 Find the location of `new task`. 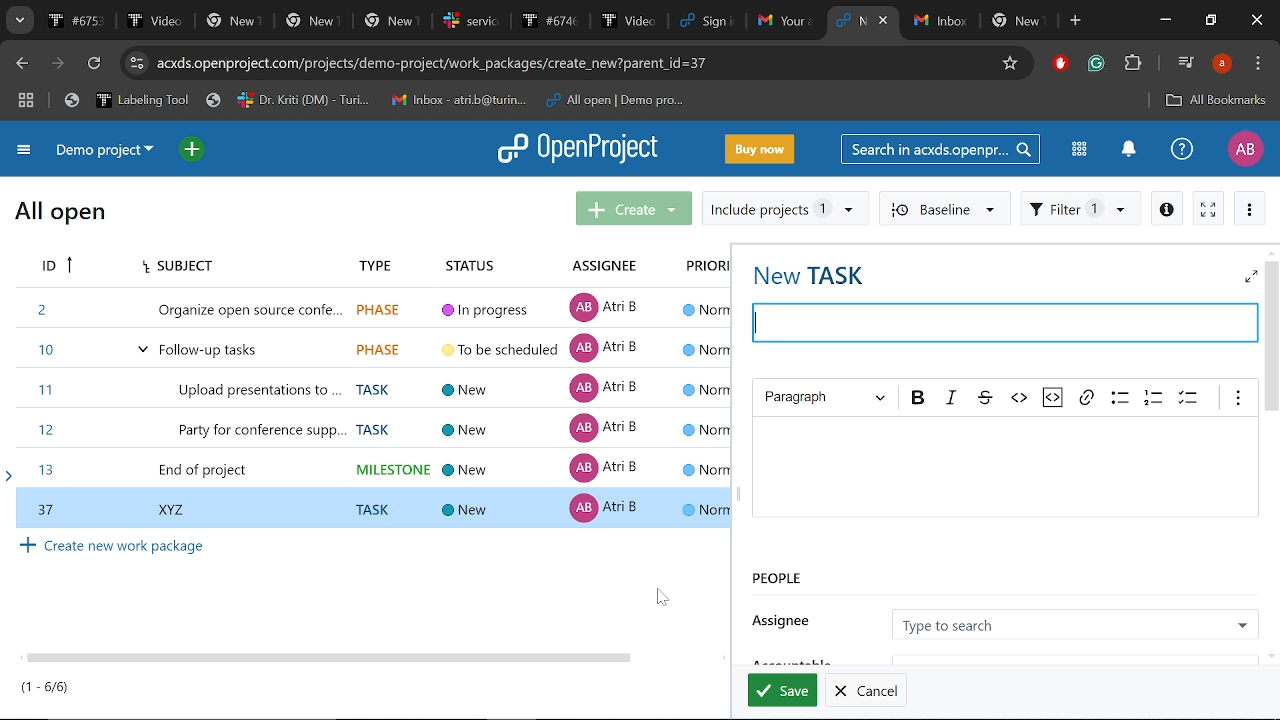

new task is located at coordinates (810, 273).